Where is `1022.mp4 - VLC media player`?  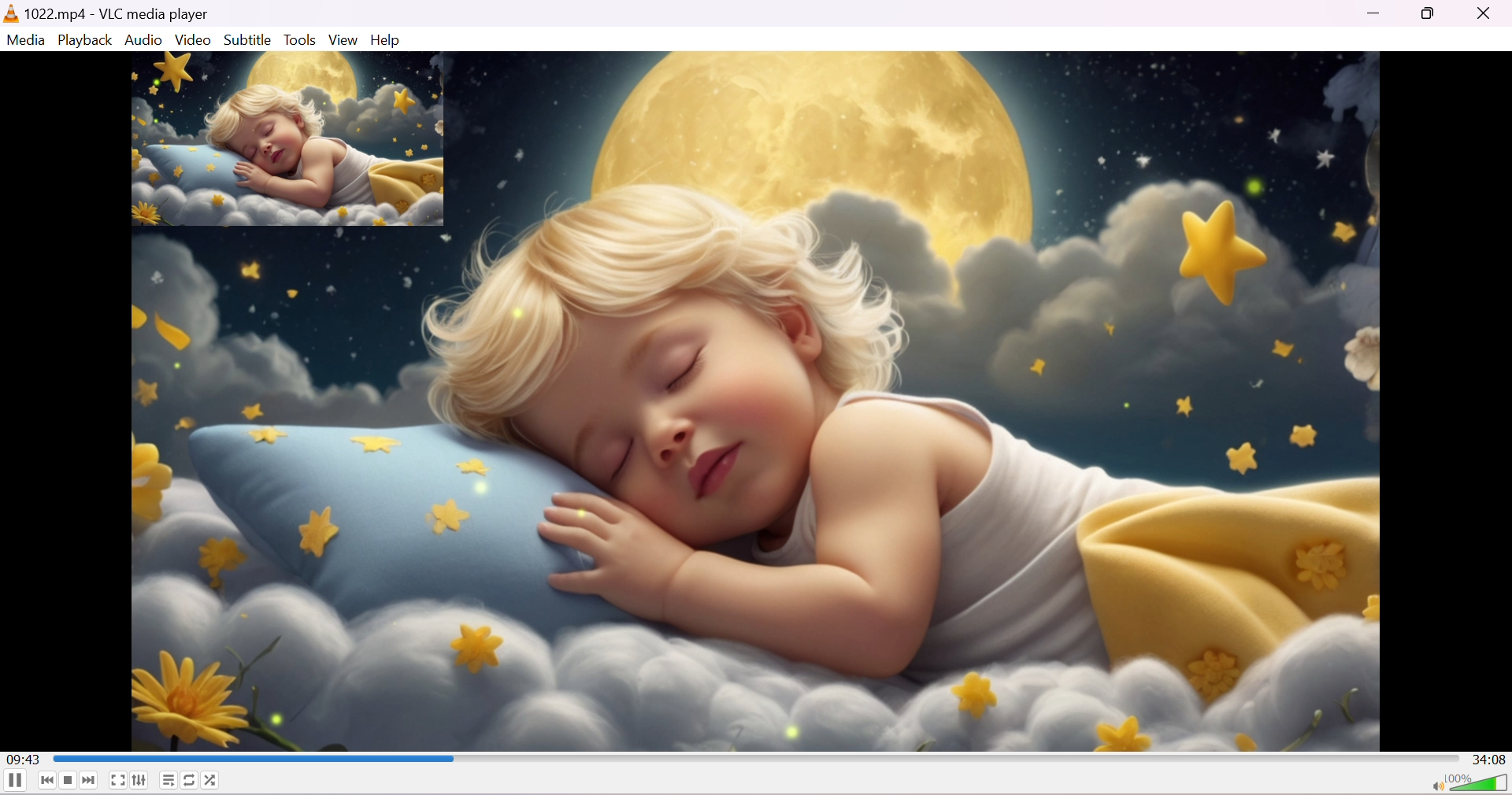 1022.mp4 - VLC media player is located at coordinates (118, 13).